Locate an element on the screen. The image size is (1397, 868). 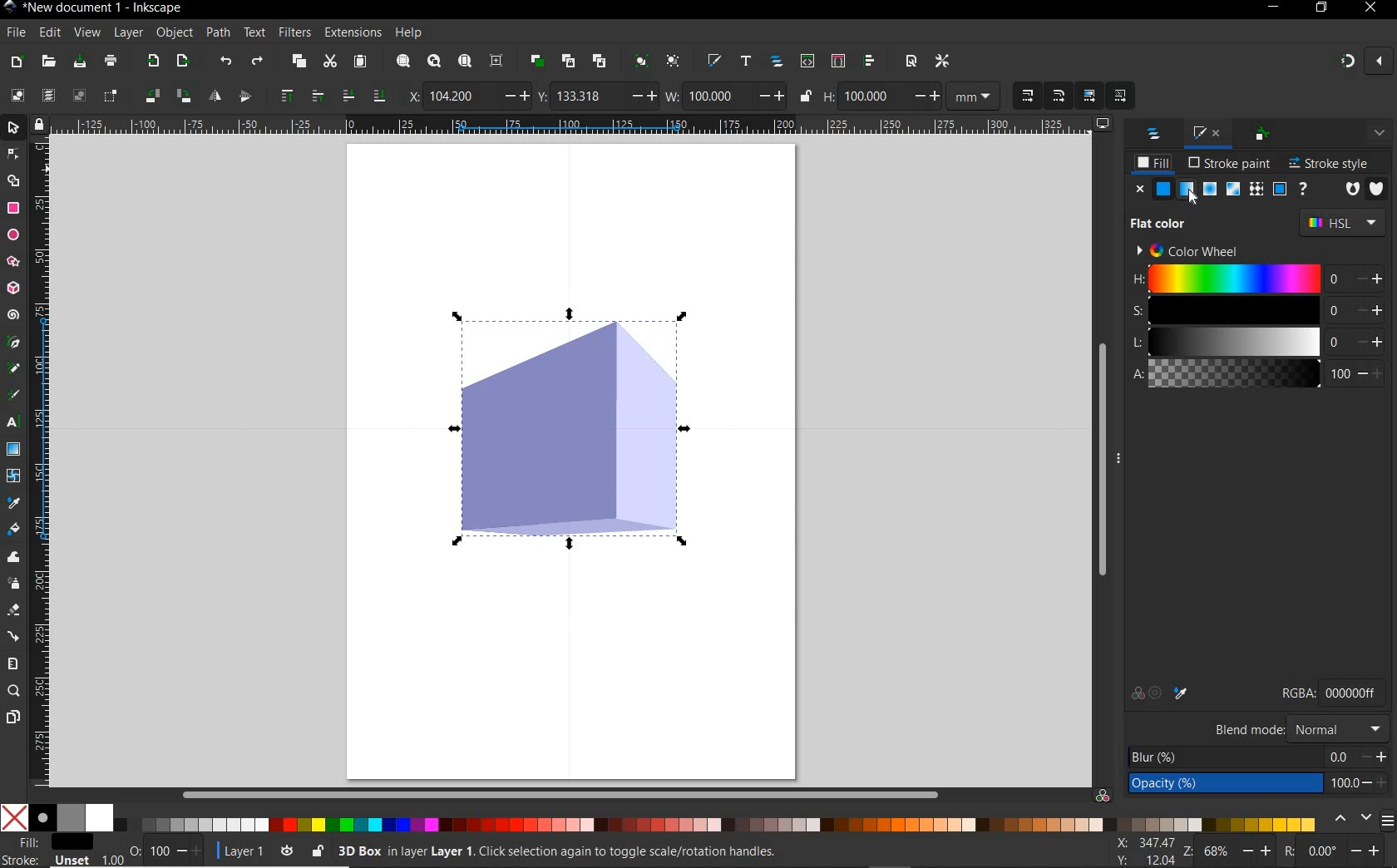
FILTERS is located at coordinates (294, 31).